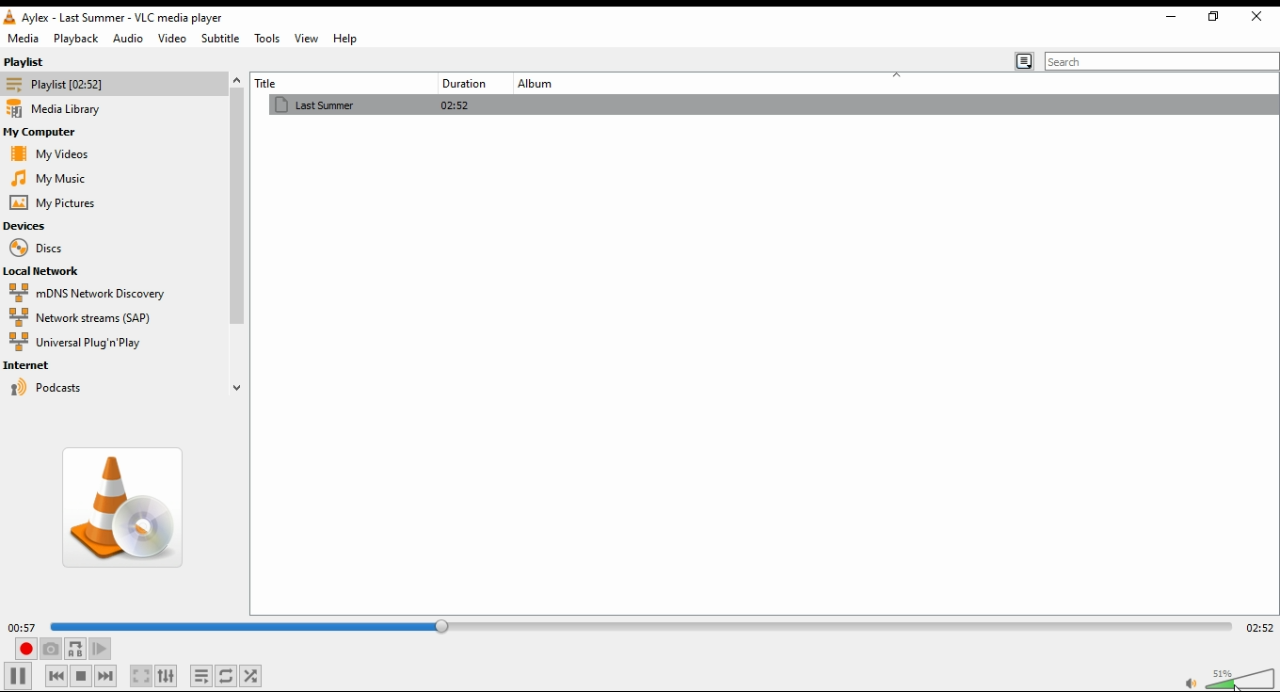 This screenshot has height=692, width=1280. Describe the element at coordinates (82, 677) in the screenshot. I see `stop` at that location.